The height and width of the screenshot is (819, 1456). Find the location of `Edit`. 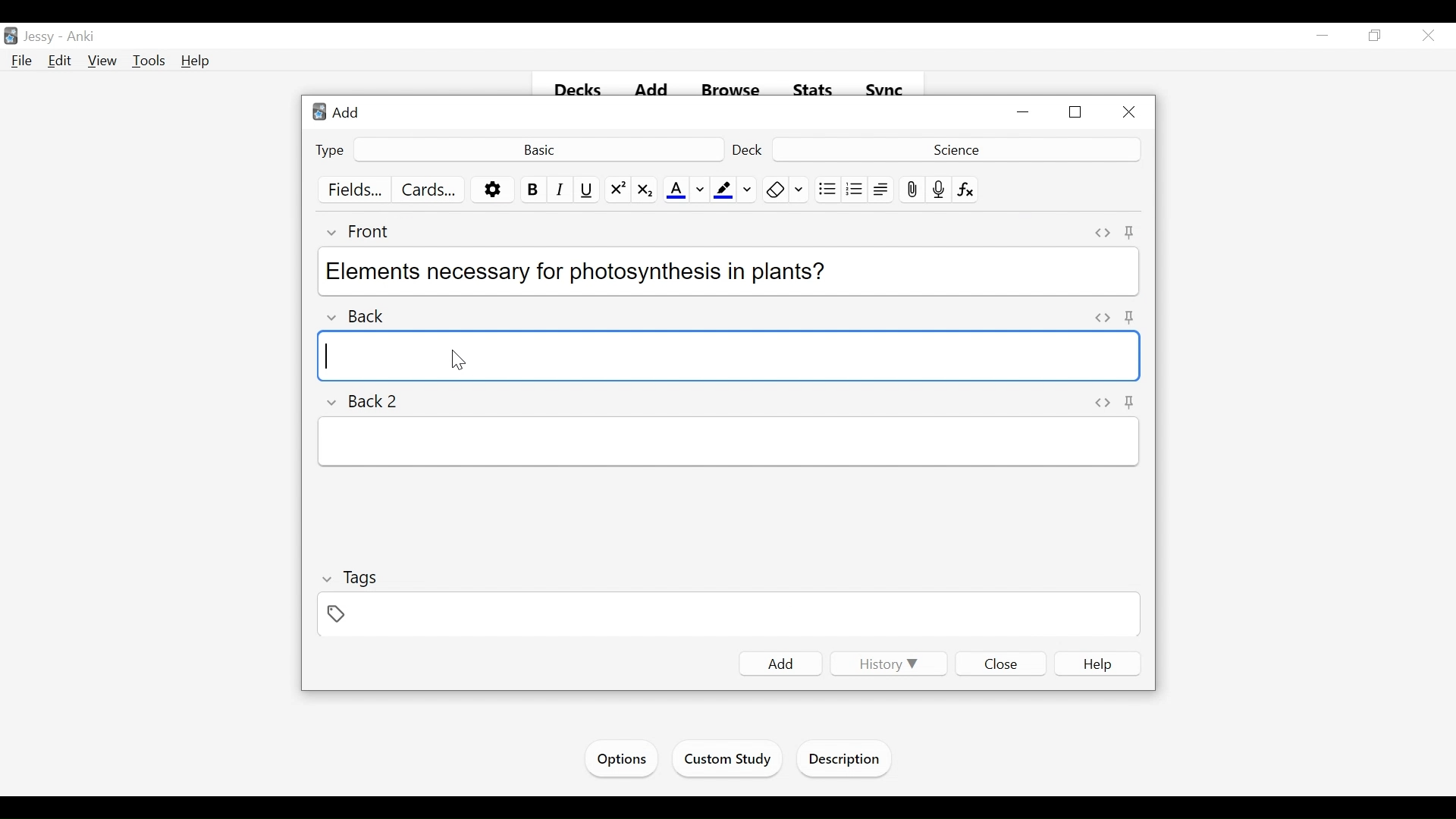

Edit is located at coordinates (60, 60).